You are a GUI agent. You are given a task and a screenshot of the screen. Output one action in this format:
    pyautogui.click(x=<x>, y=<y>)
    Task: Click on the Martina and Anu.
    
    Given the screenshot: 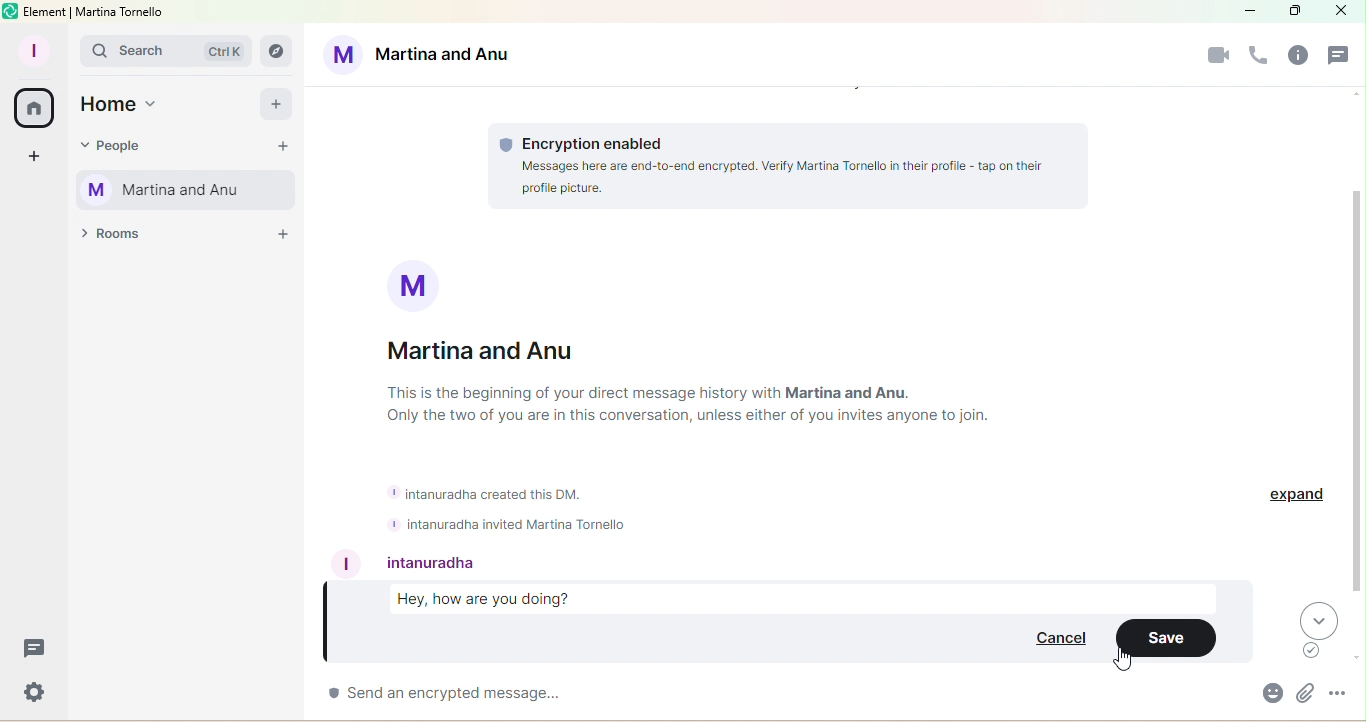 What is the action you would take?
    pyautogui.click(x=849, y=393)
    